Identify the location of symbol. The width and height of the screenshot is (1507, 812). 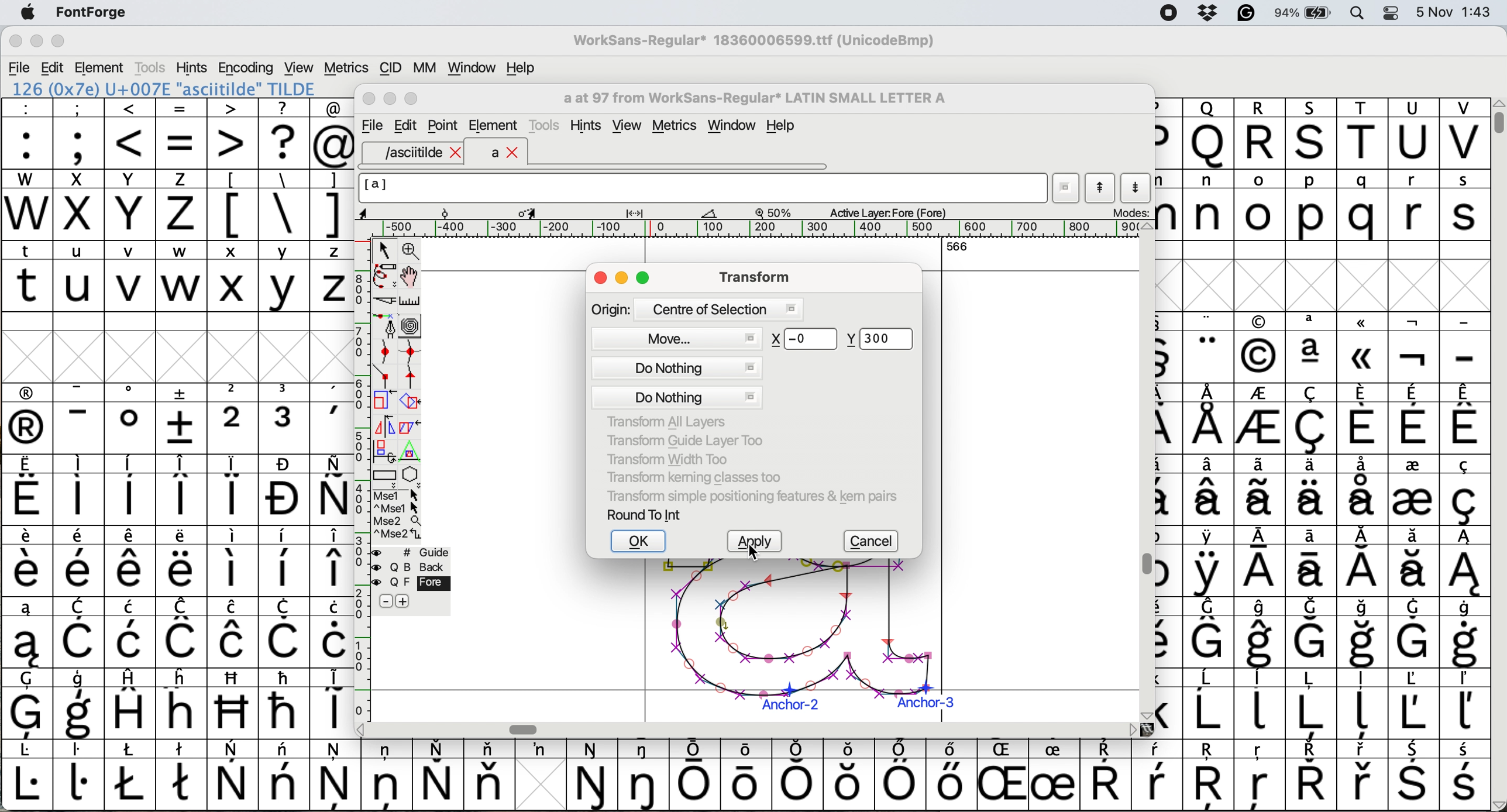
(438, 775).